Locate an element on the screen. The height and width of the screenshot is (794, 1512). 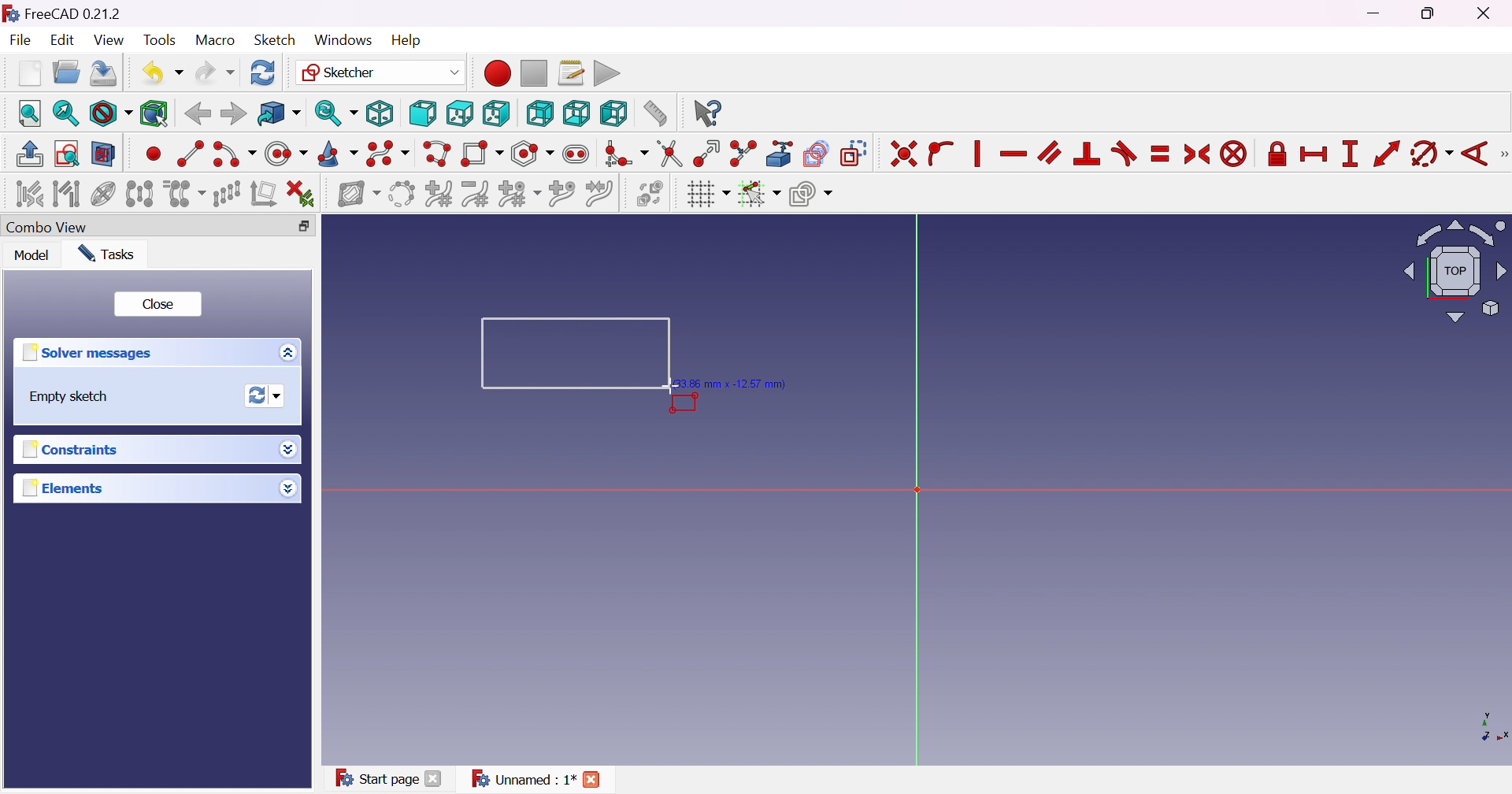
Constrain lock is located at coordinates (1275, 155).